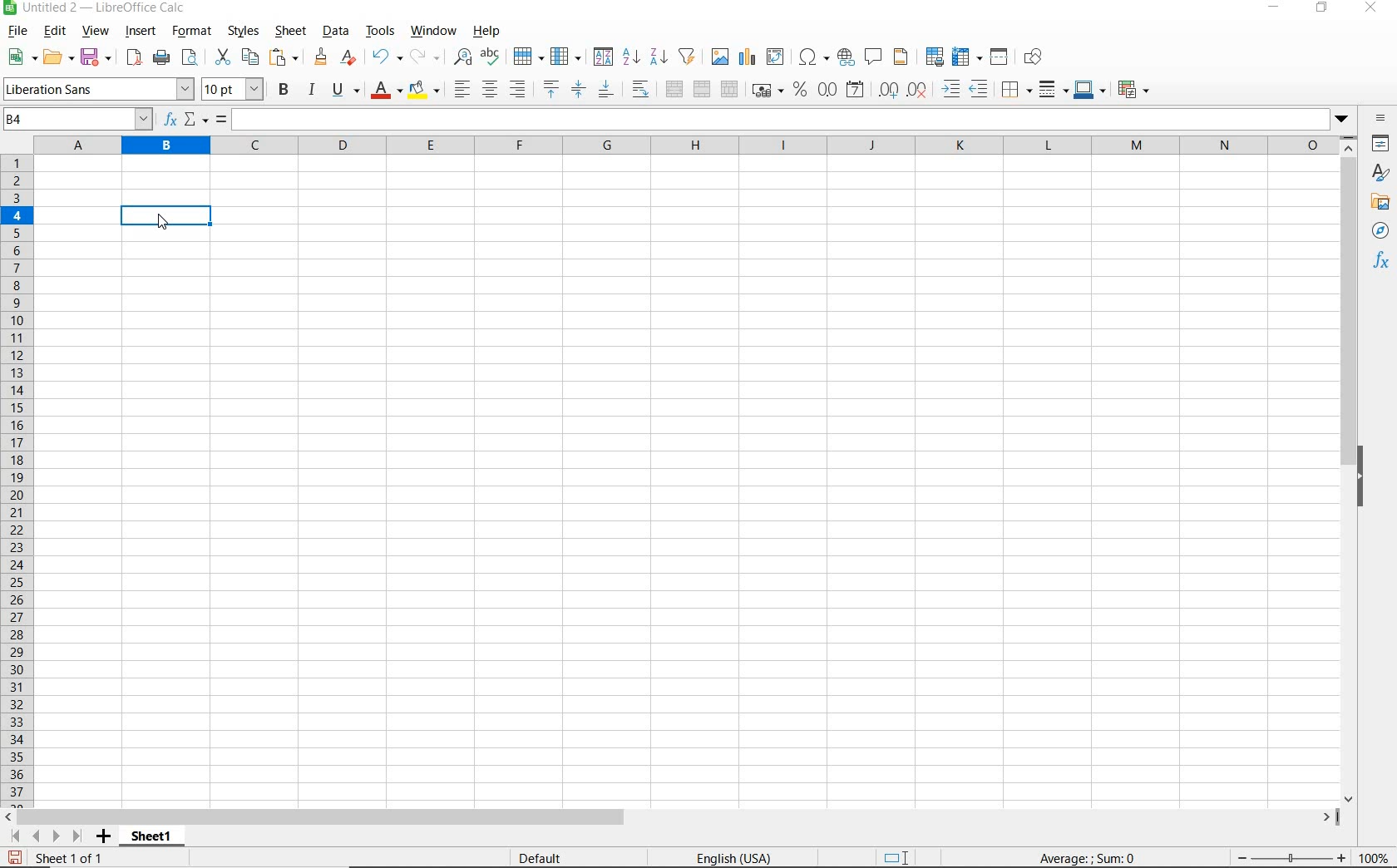  What do you see at coordinates (17, 32) in the screenshot?
I see `file` at bounding box center [17, 32].